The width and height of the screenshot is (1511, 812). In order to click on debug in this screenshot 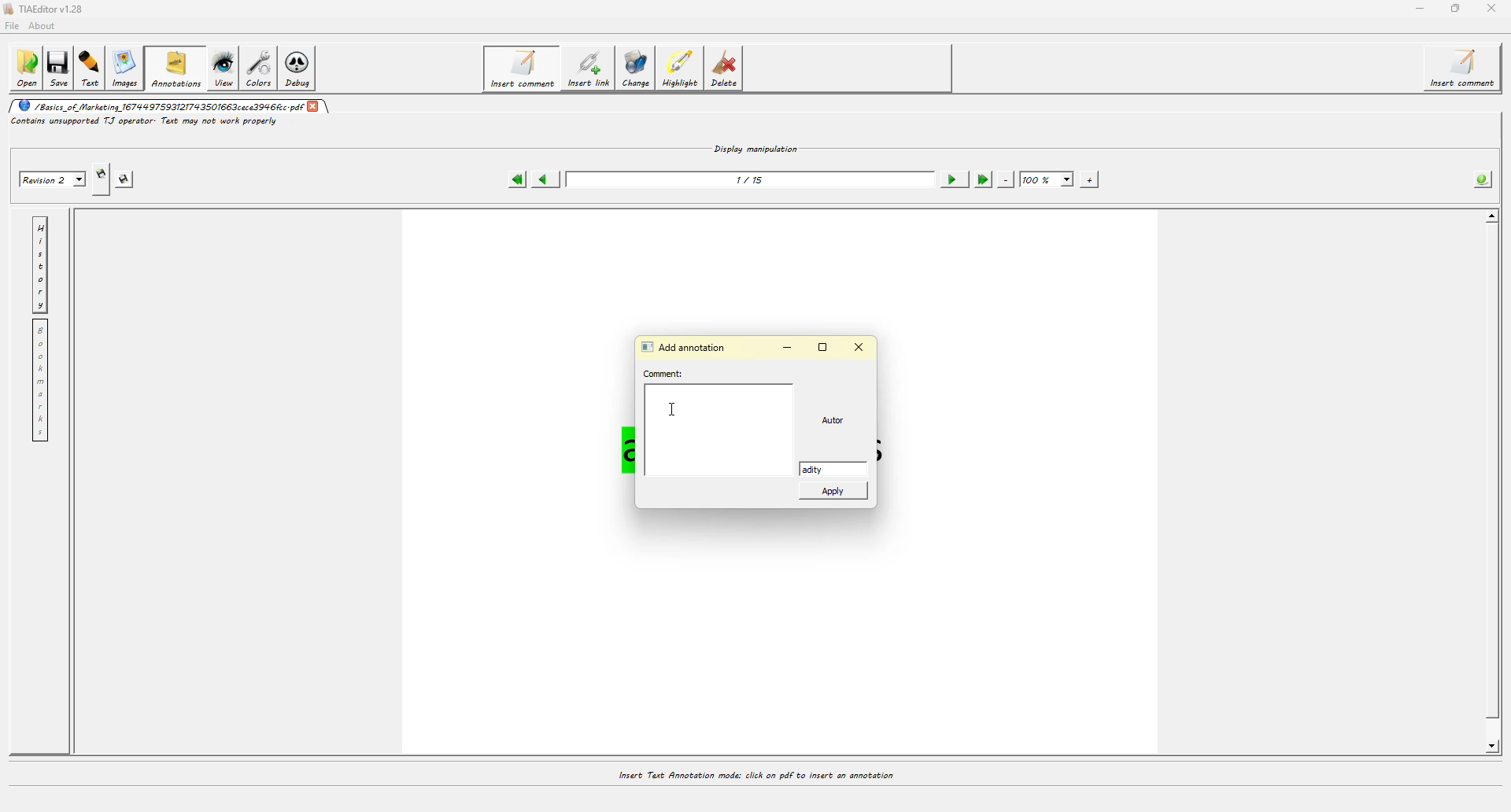, I will do `click(302, 70)`.